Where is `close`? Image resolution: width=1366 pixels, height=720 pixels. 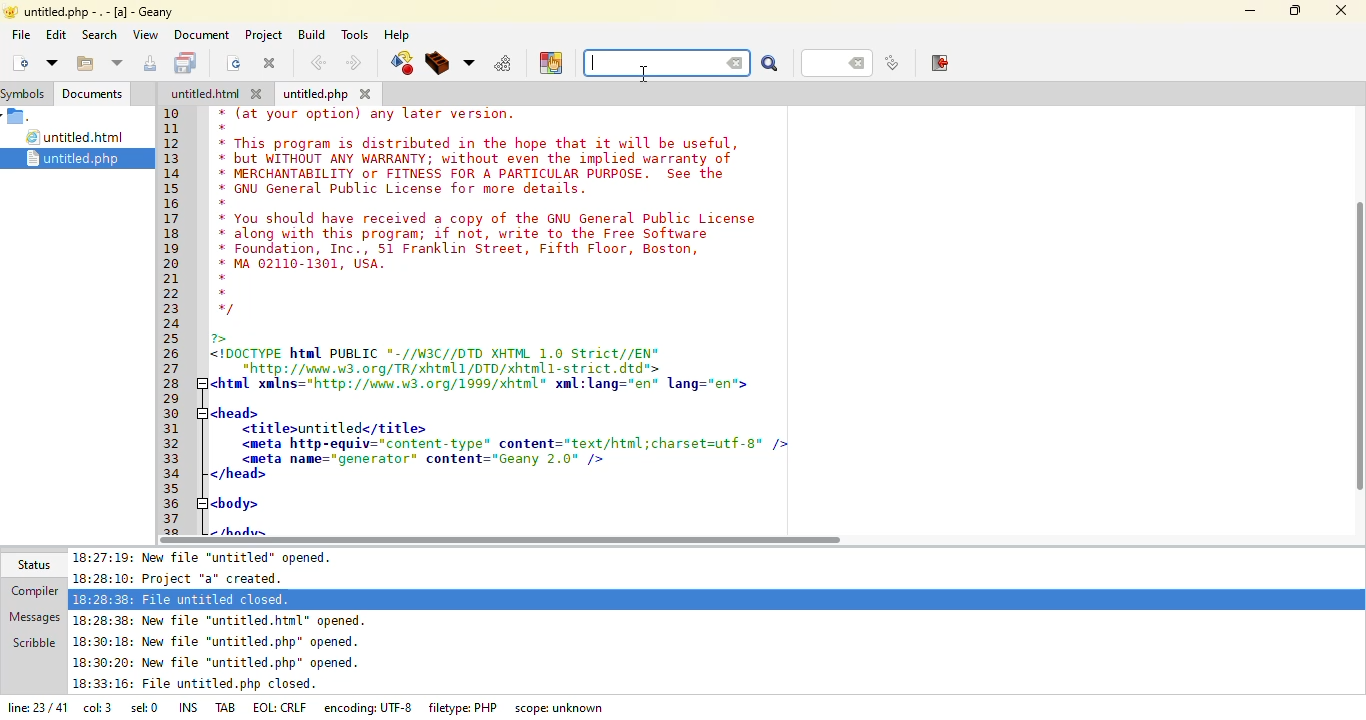
close is located at coordinates (260, 94).